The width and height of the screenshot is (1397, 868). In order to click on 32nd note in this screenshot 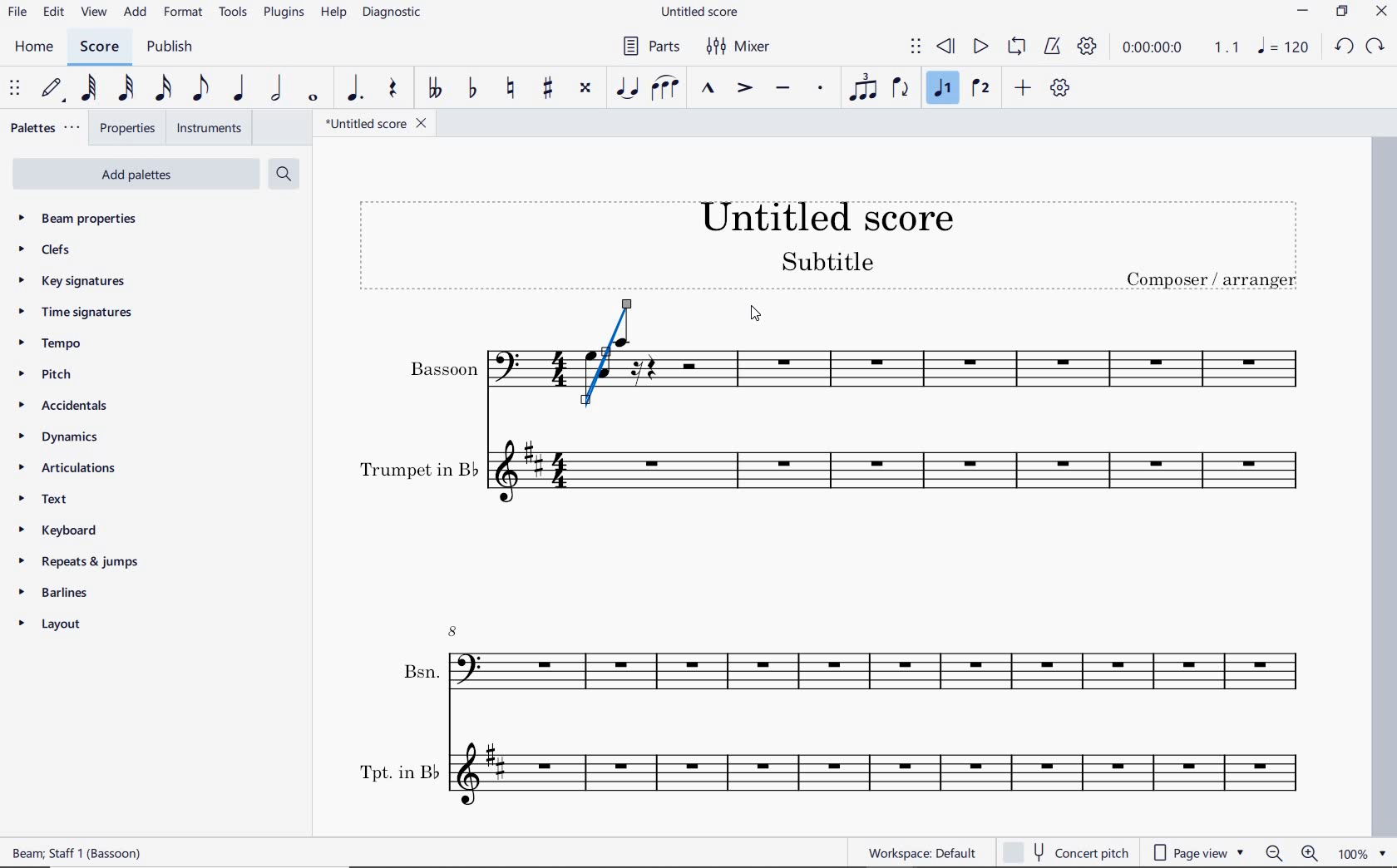, I will do `click(126, 87)`.